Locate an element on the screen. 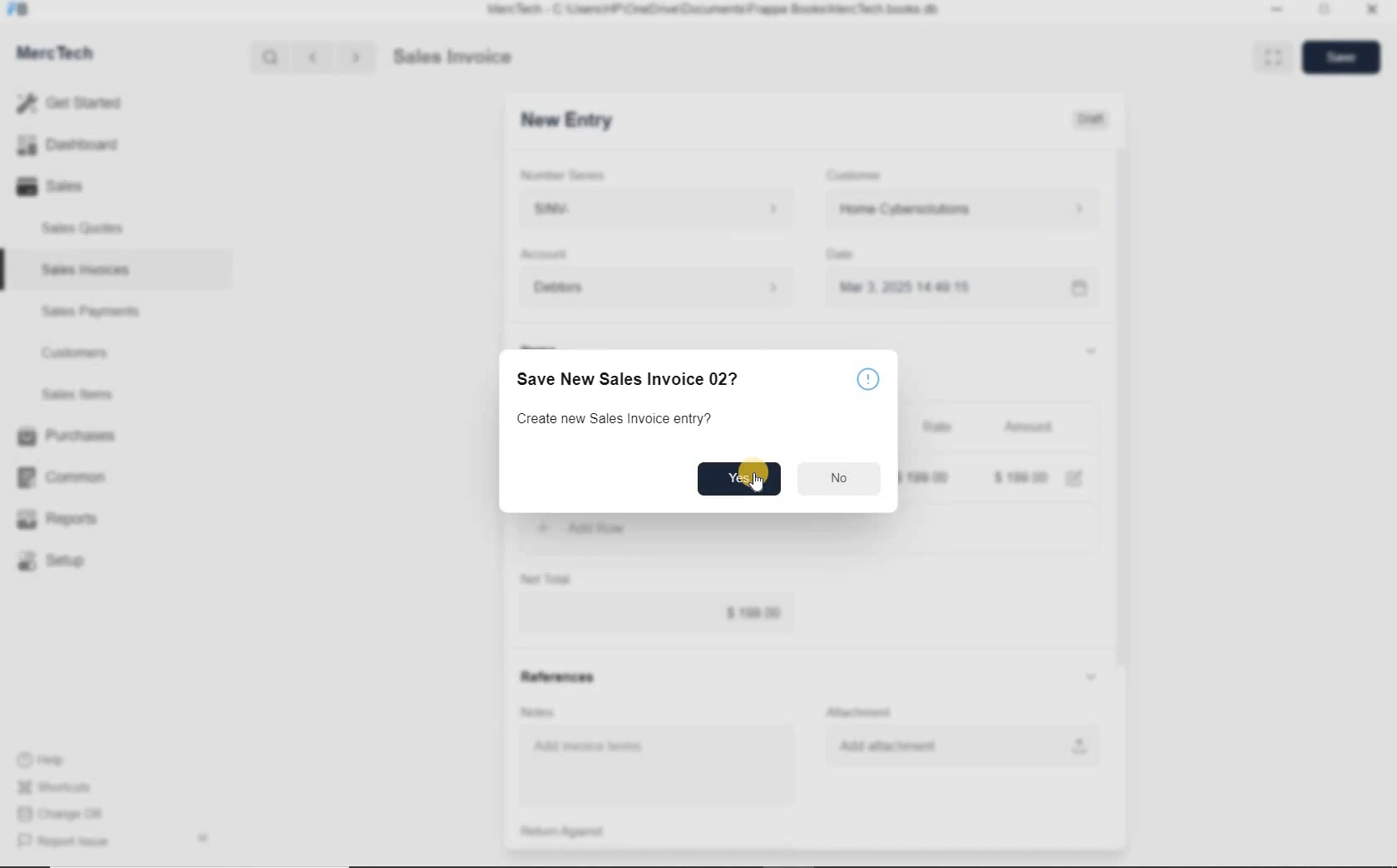  Notes is located at coordinates (541, 712).